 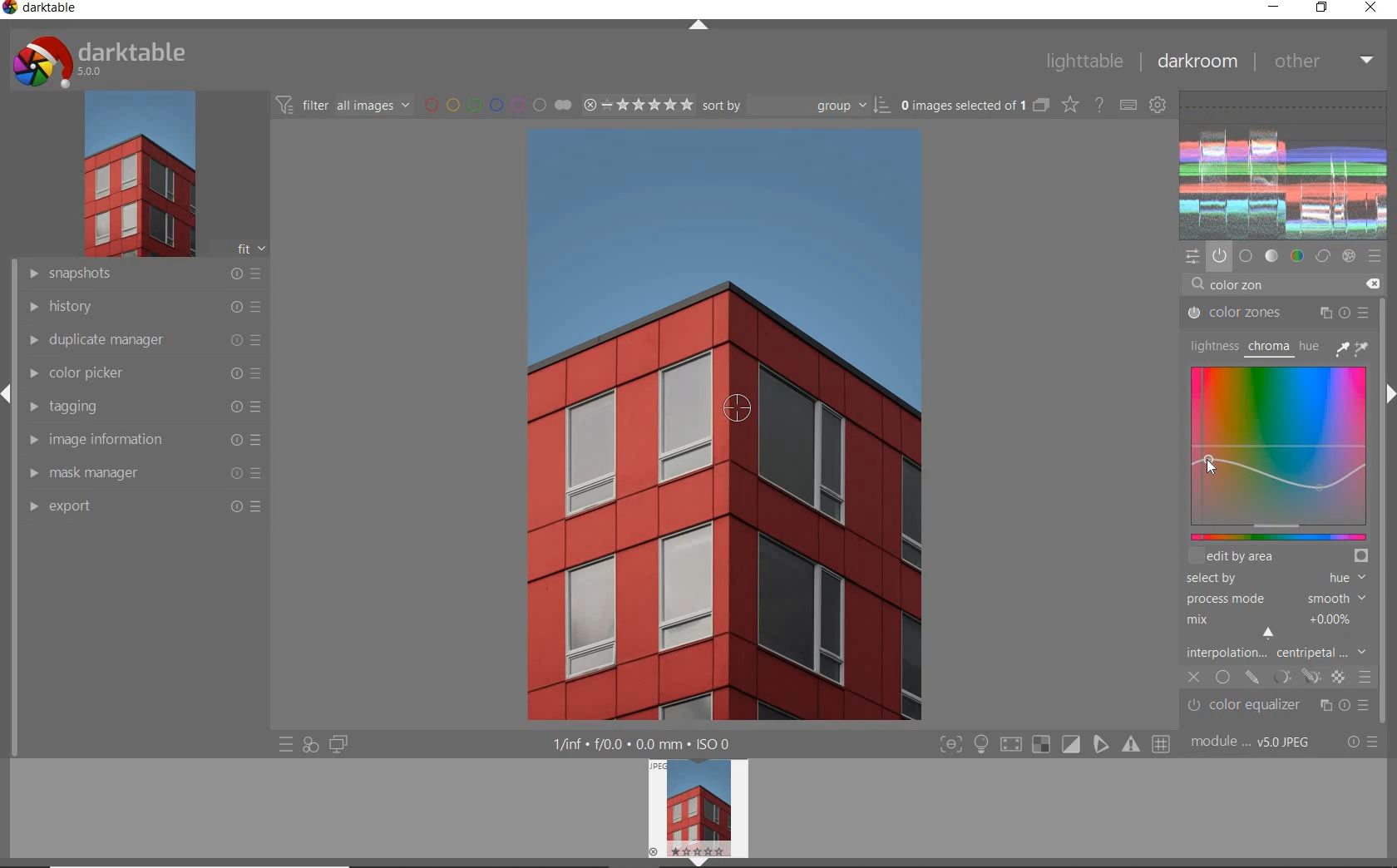 I want to click on filter by image color label, so click(x=497, y=105).